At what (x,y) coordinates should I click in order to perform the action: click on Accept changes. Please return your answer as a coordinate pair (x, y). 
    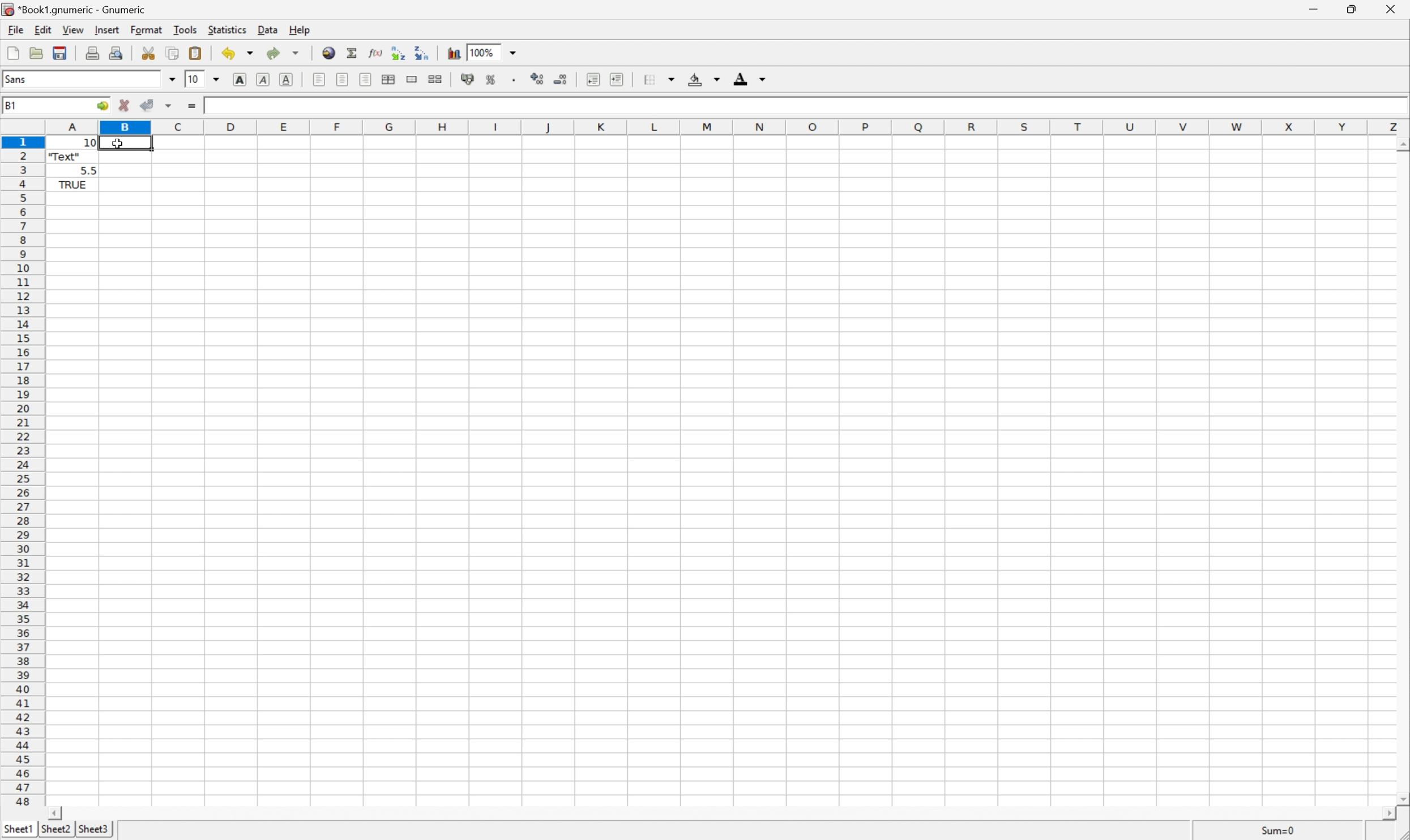
    Looking at the image, I should click on (149, 104).